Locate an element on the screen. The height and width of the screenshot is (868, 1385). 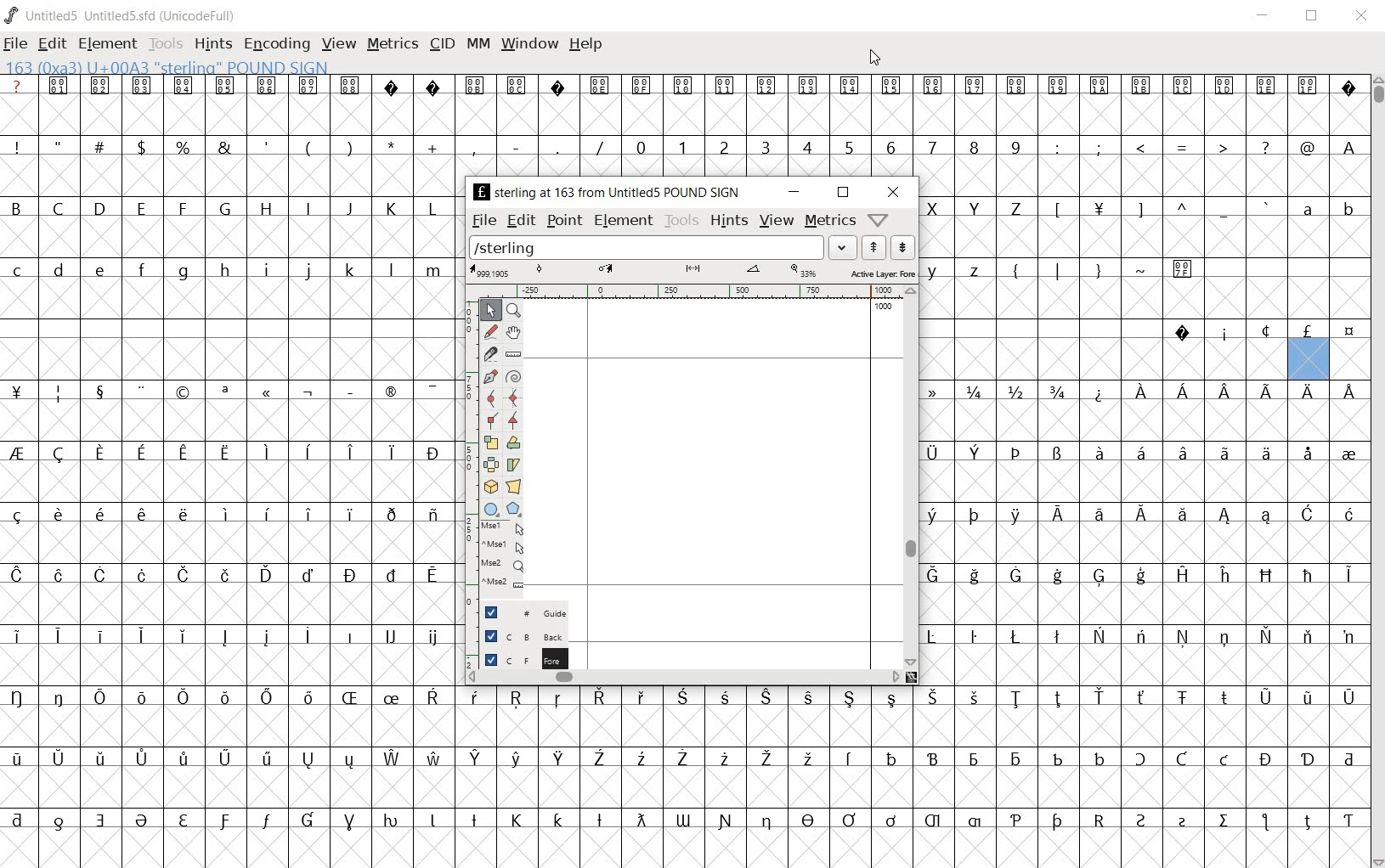
background layer is located at coordinates (522, 635).